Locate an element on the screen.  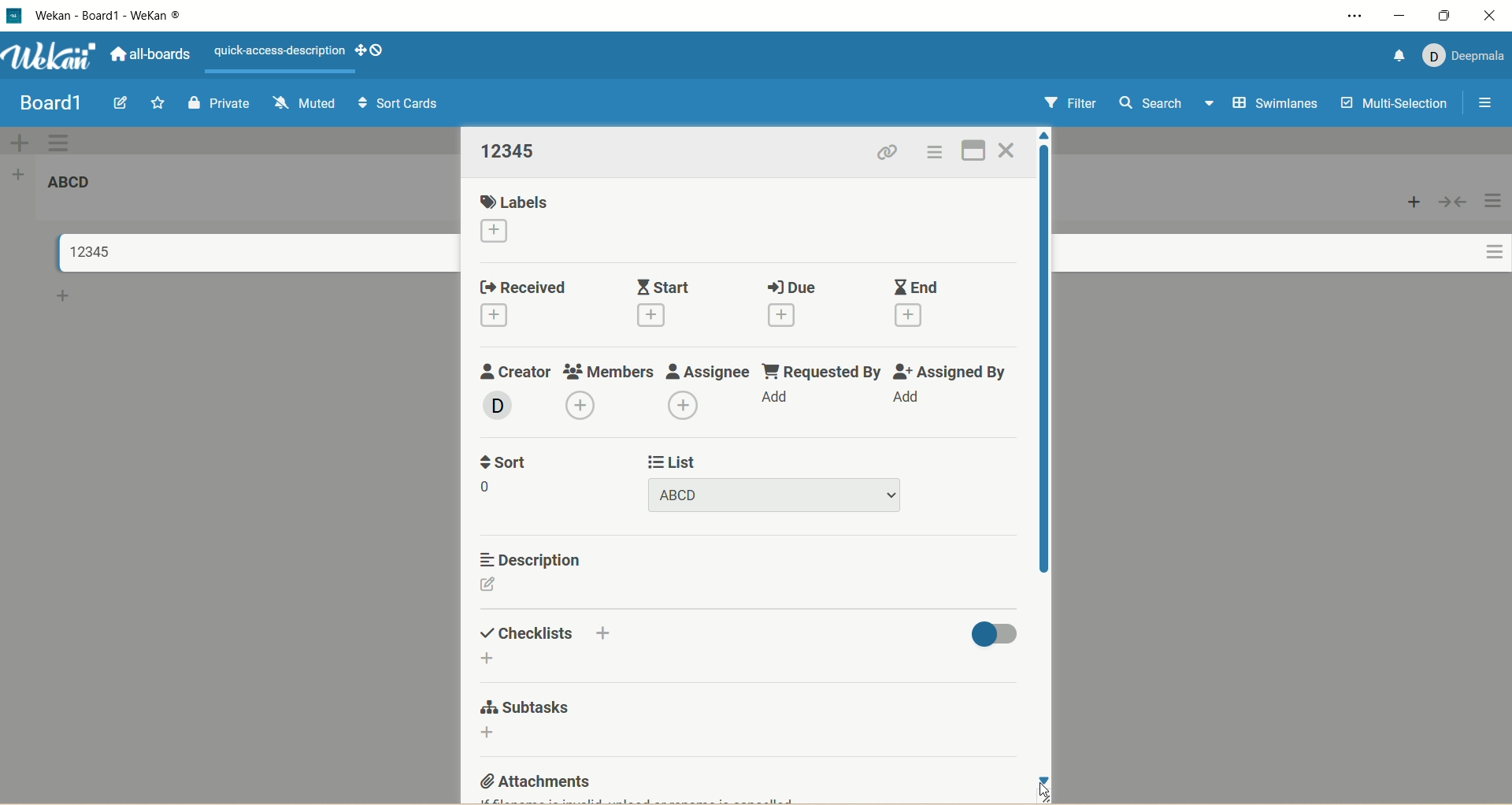
edit is located at coordinates (120, 103).